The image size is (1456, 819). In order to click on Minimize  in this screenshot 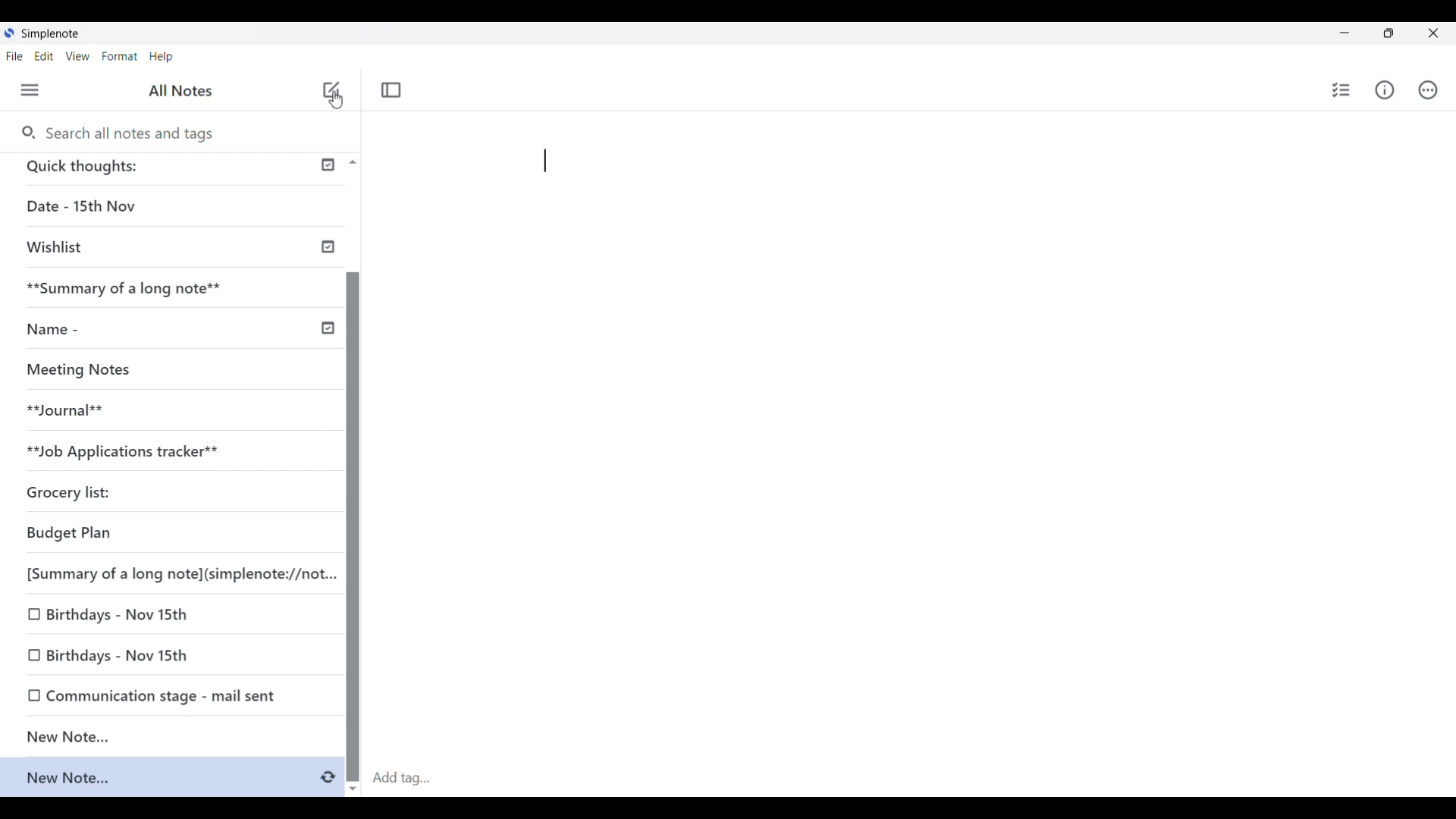, I will do `click(1345, 33)`.